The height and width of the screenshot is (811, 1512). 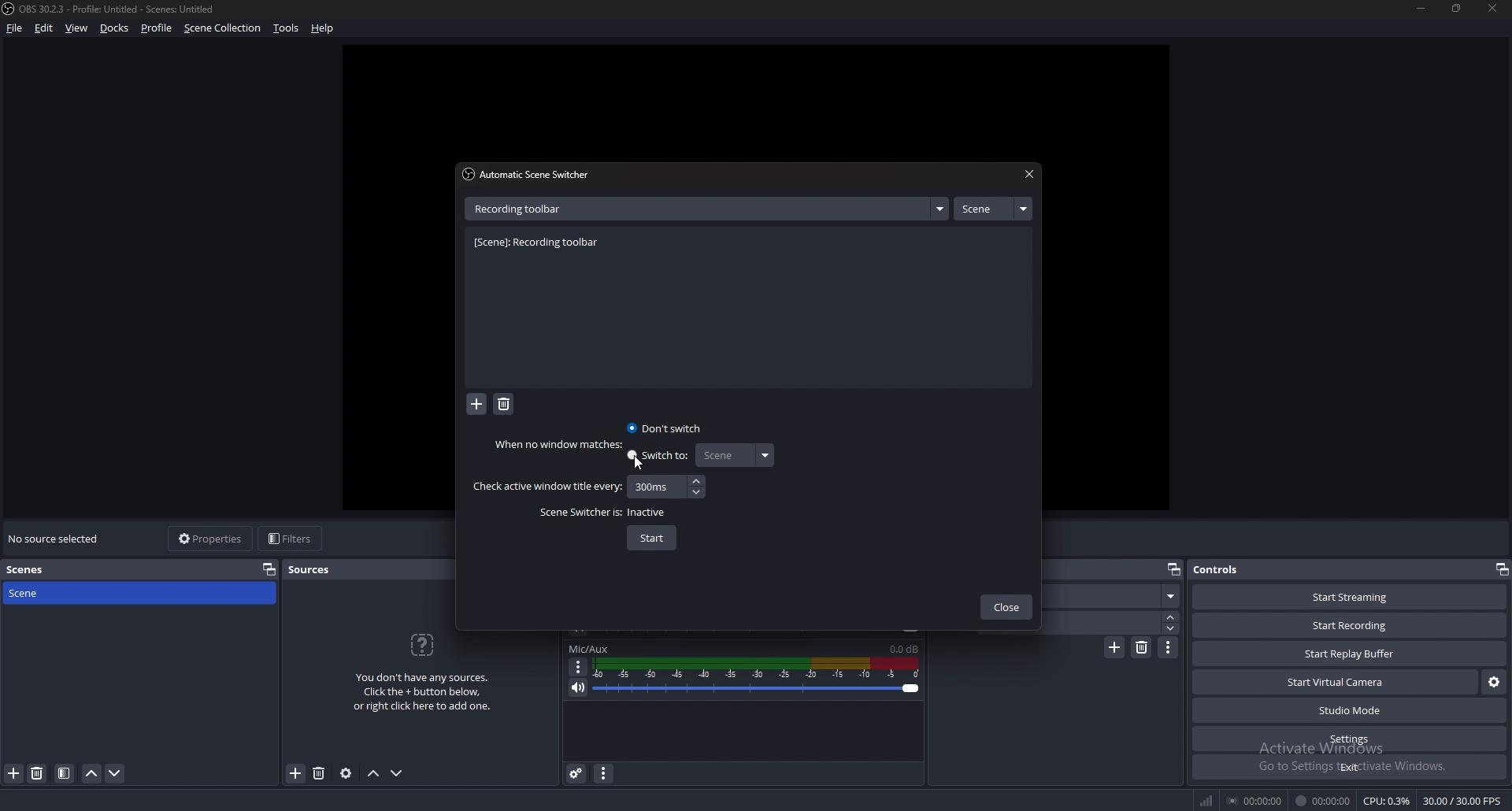 I want to click on swipe, so click(x=1115, y=596).